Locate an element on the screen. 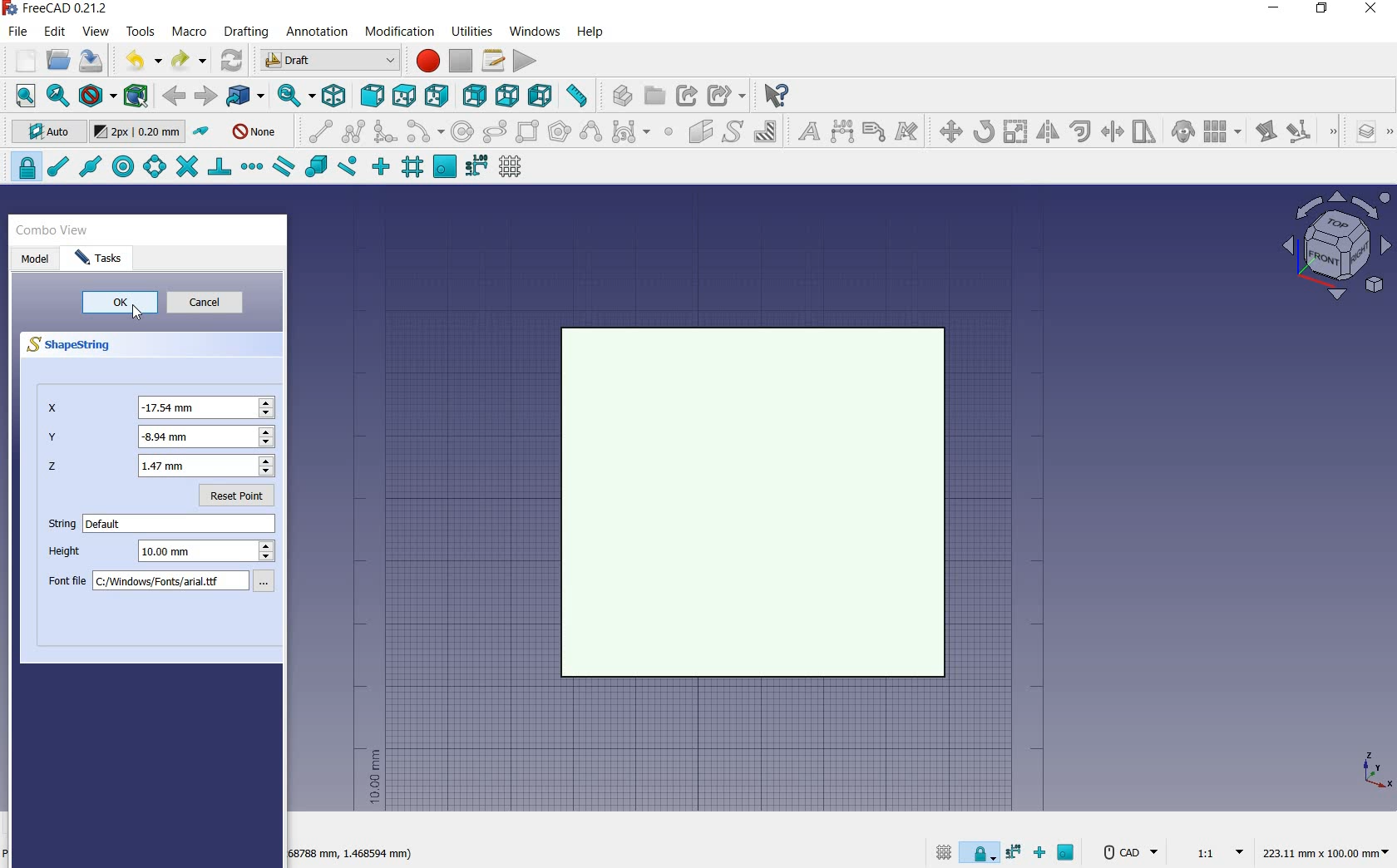 The image size is (1397, 868). open is located at coordinates (58, 59).